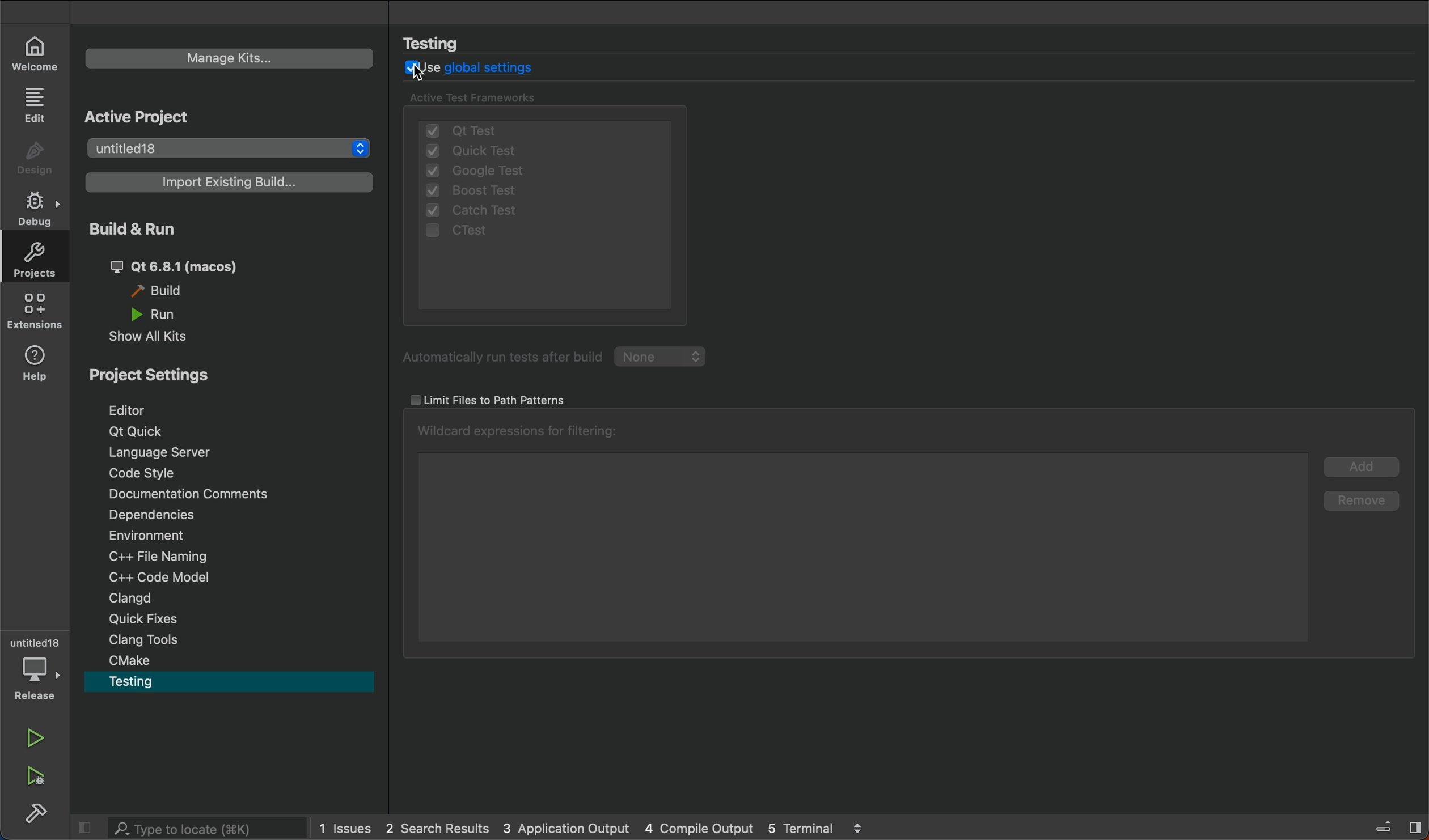 The image size is (1429, 840). Describe the element at coordinates (223, 411) in the screenshot. I see `` at that location.